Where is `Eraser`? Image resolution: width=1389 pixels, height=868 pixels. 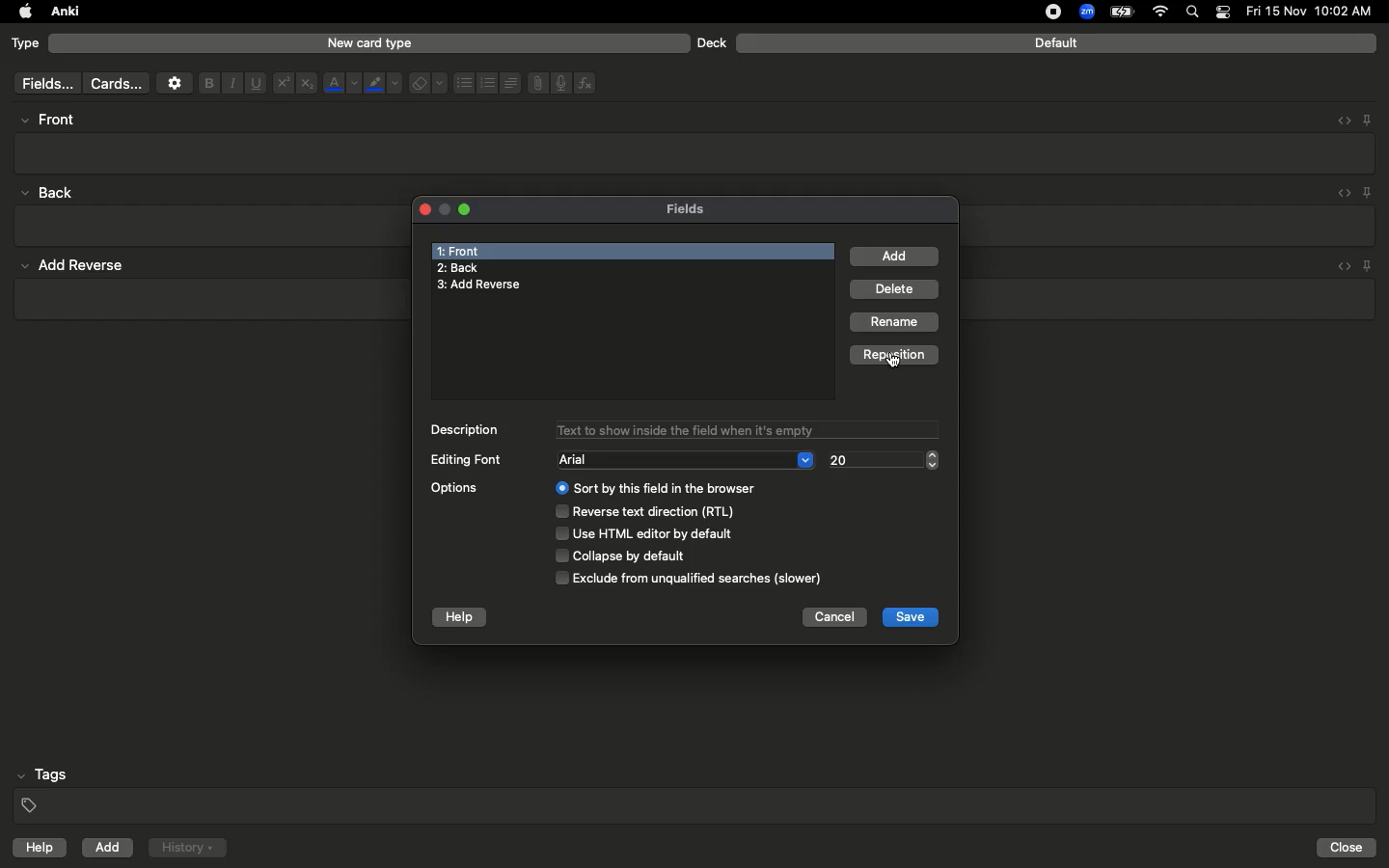
Eraser is located at coordinates (427, 84).